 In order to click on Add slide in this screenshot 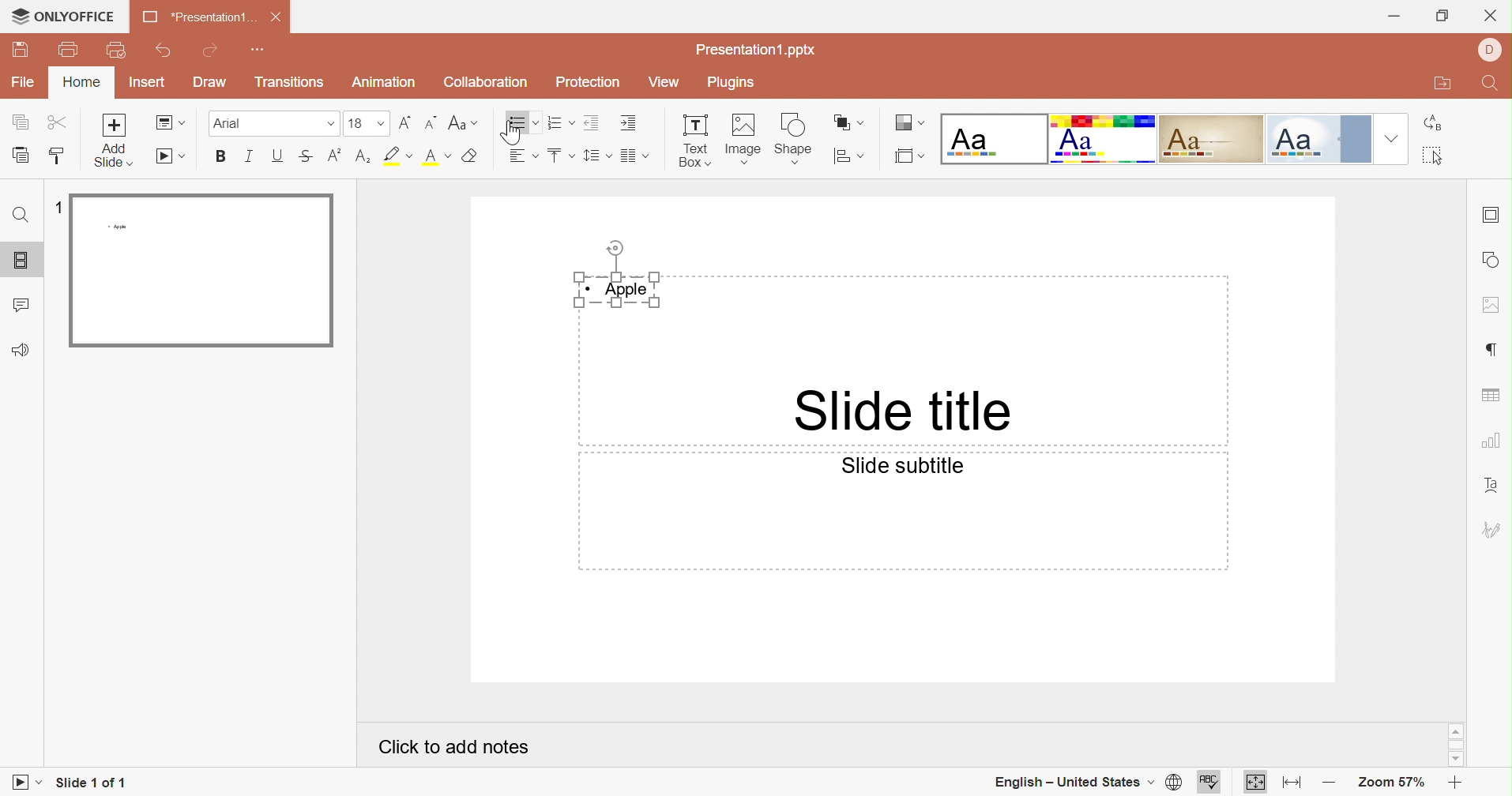, I will do `click(115, 140)`.